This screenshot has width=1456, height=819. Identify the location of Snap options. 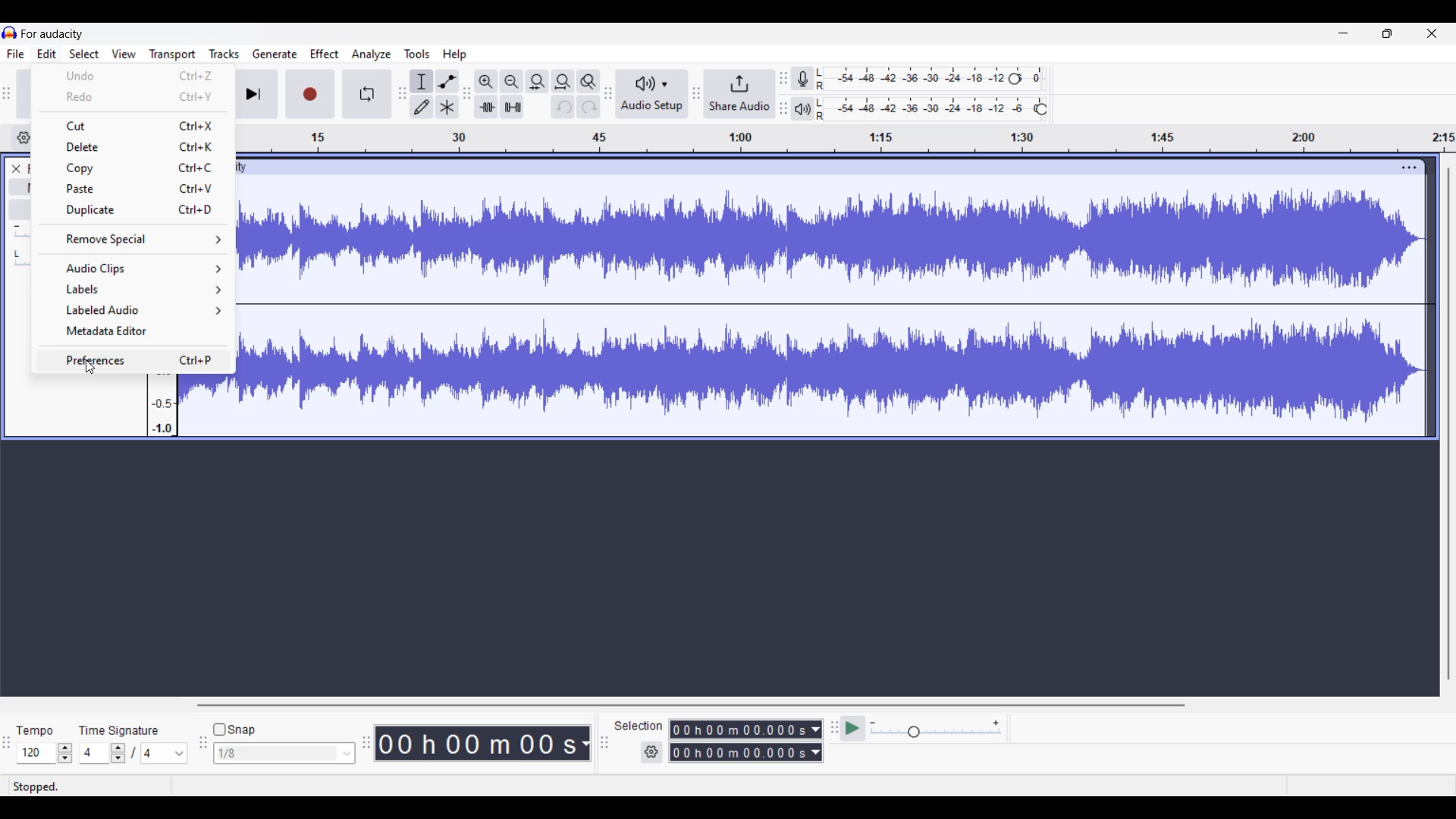
(285, 753).